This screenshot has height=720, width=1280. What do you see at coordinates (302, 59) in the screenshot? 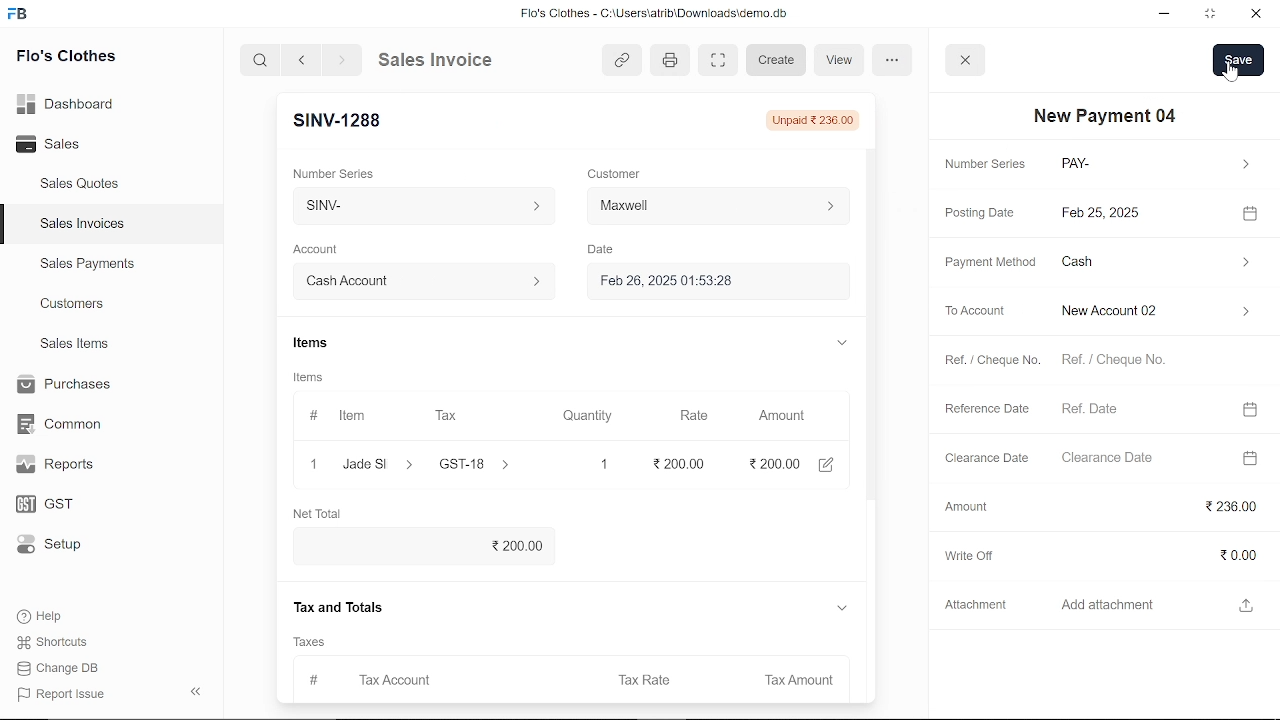
I see `previous` at bounding box center [302, 59].